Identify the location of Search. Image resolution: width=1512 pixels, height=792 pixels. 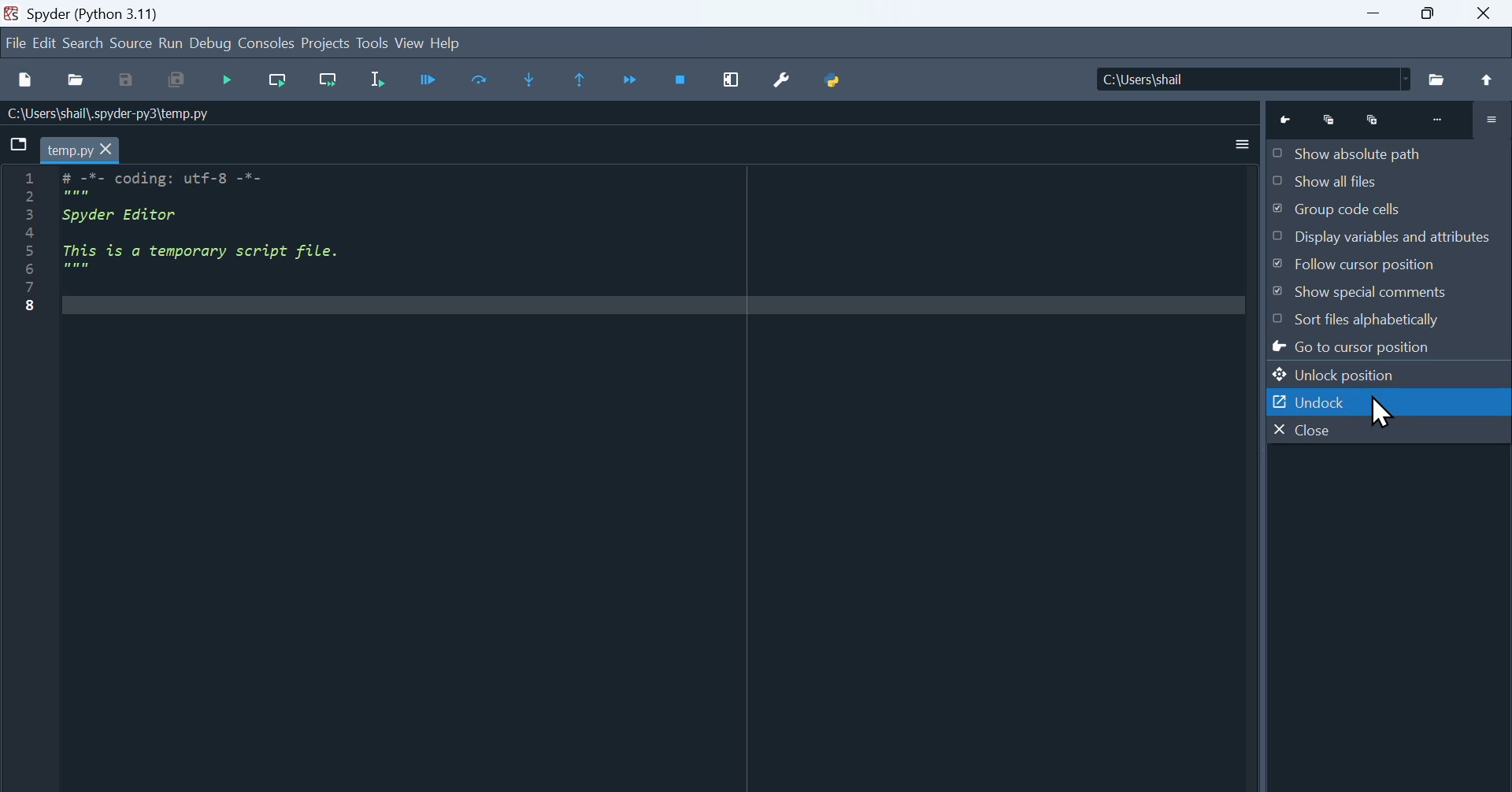
(84, 41).